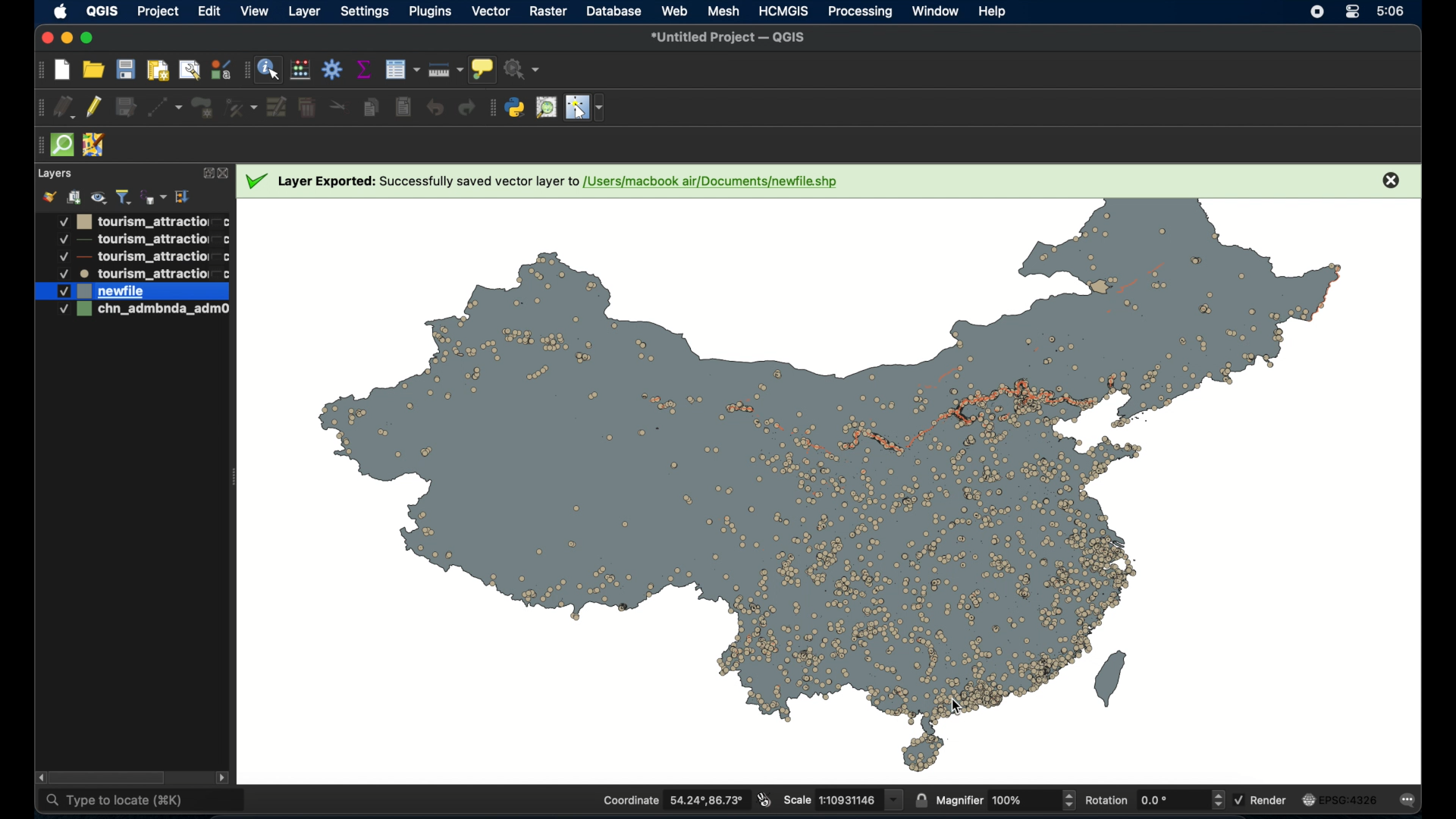  Describe the element at coordinates (65, 108) in the screenshot. I see `current edits ` at that location.